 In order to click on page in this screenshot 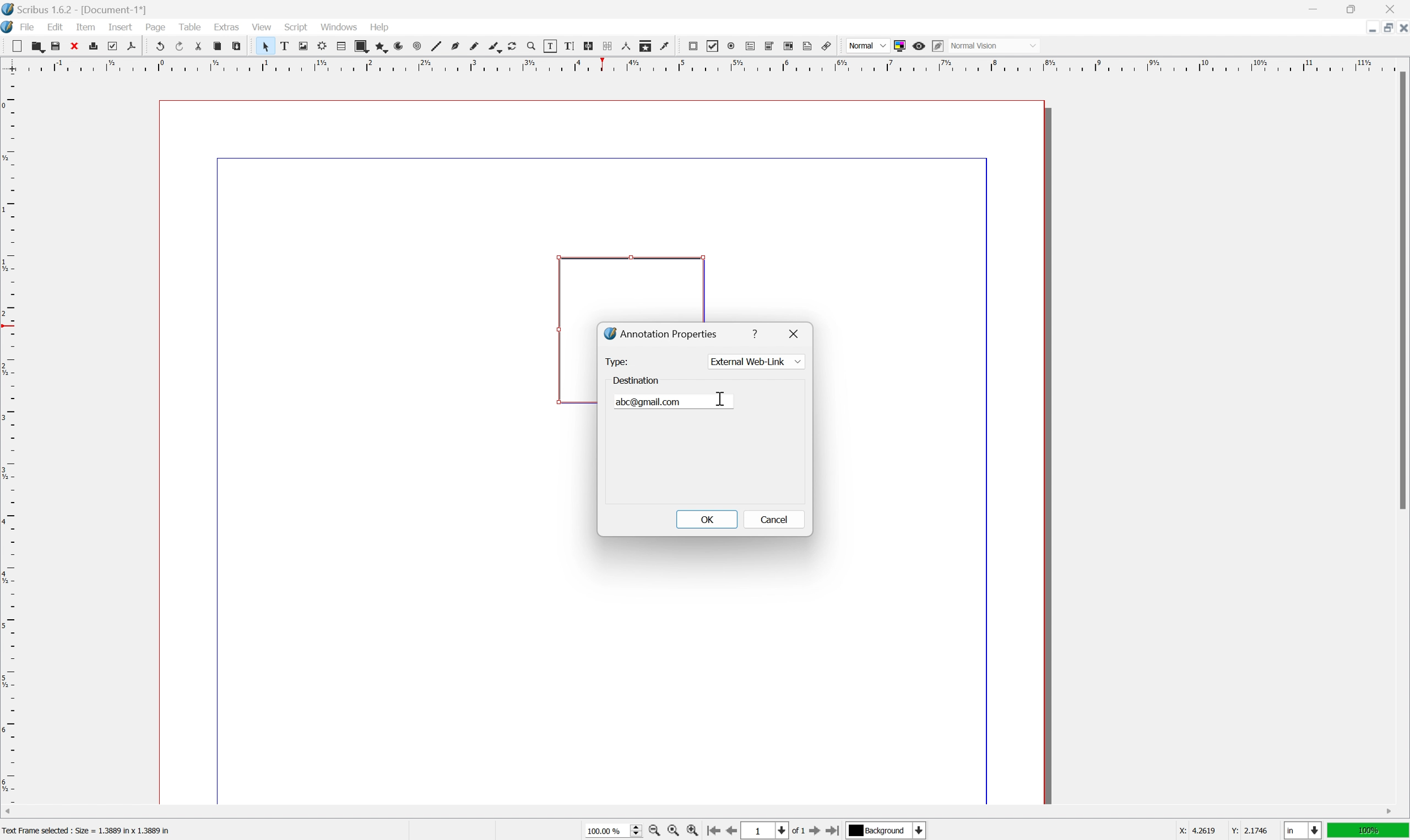, I will do `click(155, 27)`.